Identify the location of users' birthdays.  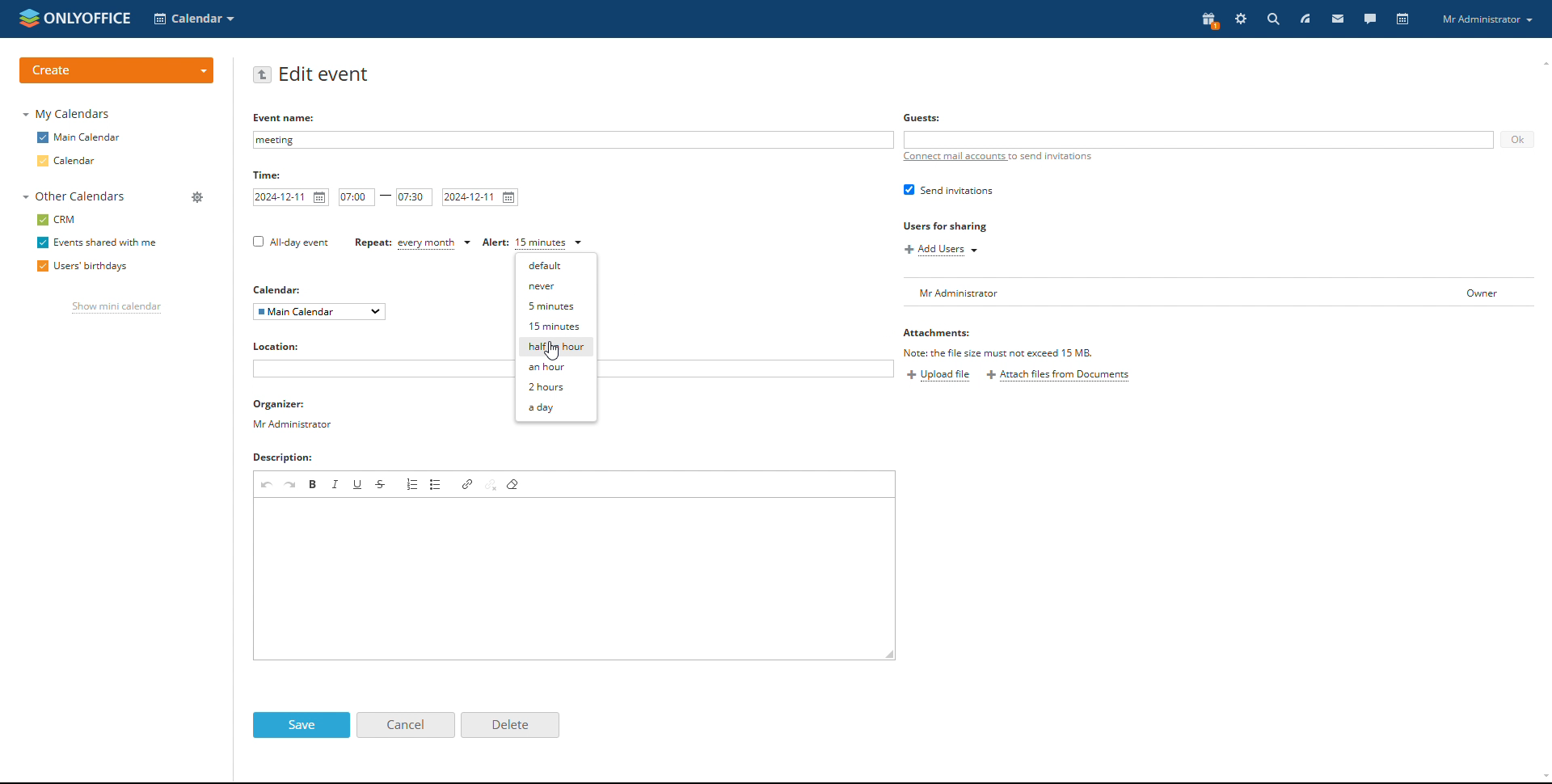
(84, 267).